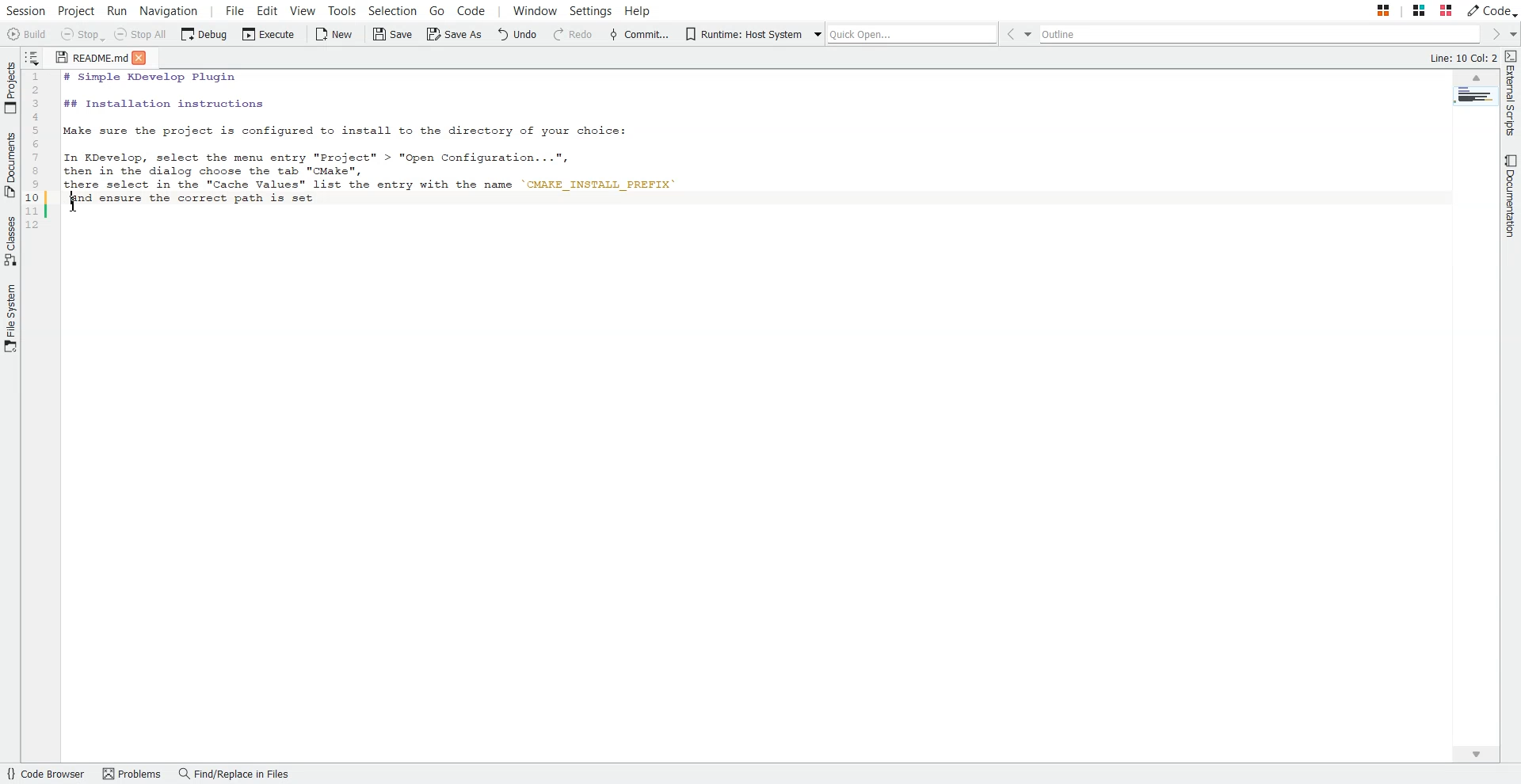 The width and height of the screenshot is (1521, 784). What do you see at coordinates (73, 210) in the screenshot?
I see `Pointer` at bounding box center [73, 210].